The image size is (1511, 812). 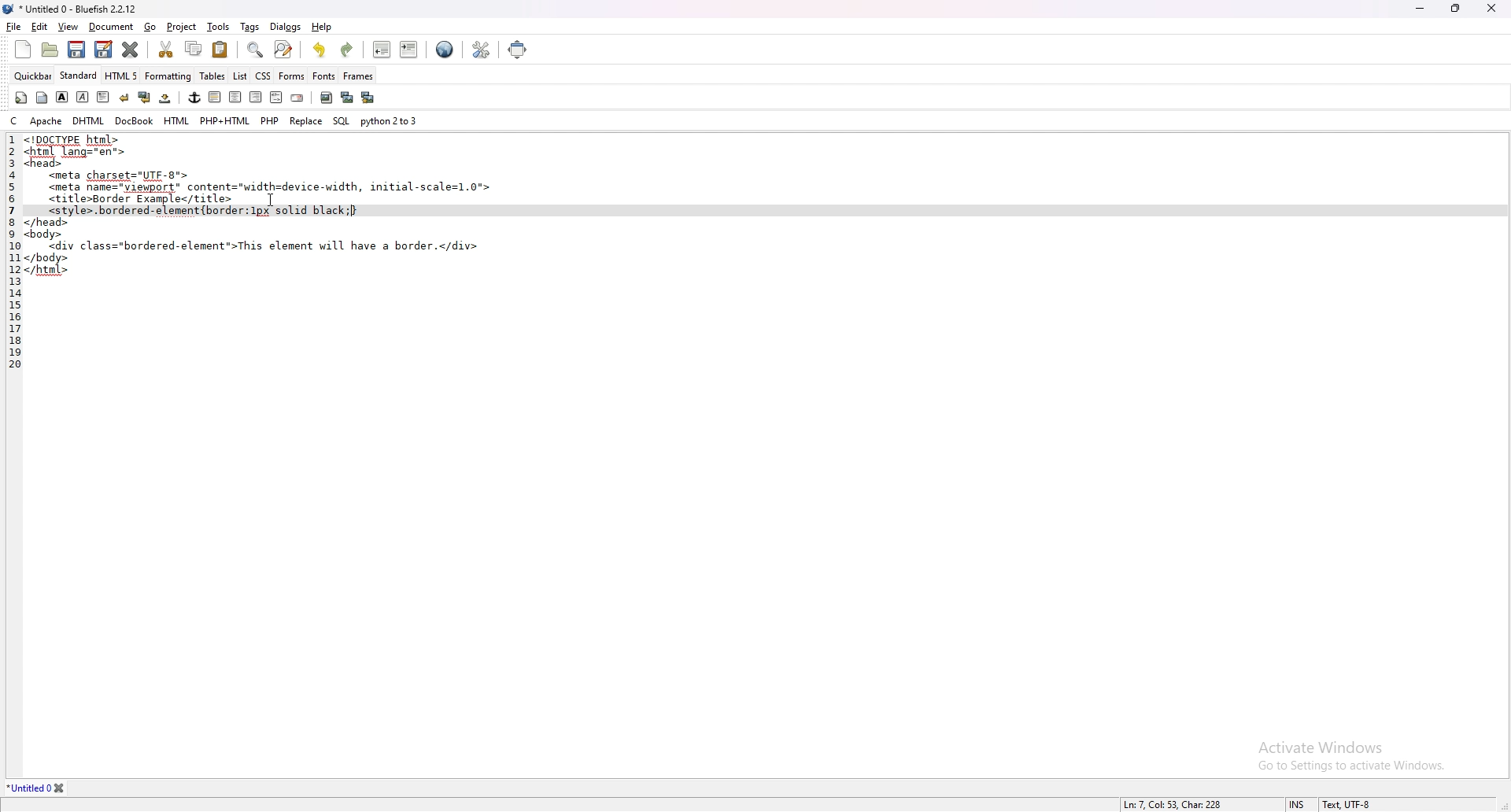 What do you see at coordinates (1456, 8) in the screenshot?
I see `resize` at bounding box center [1456, 8].